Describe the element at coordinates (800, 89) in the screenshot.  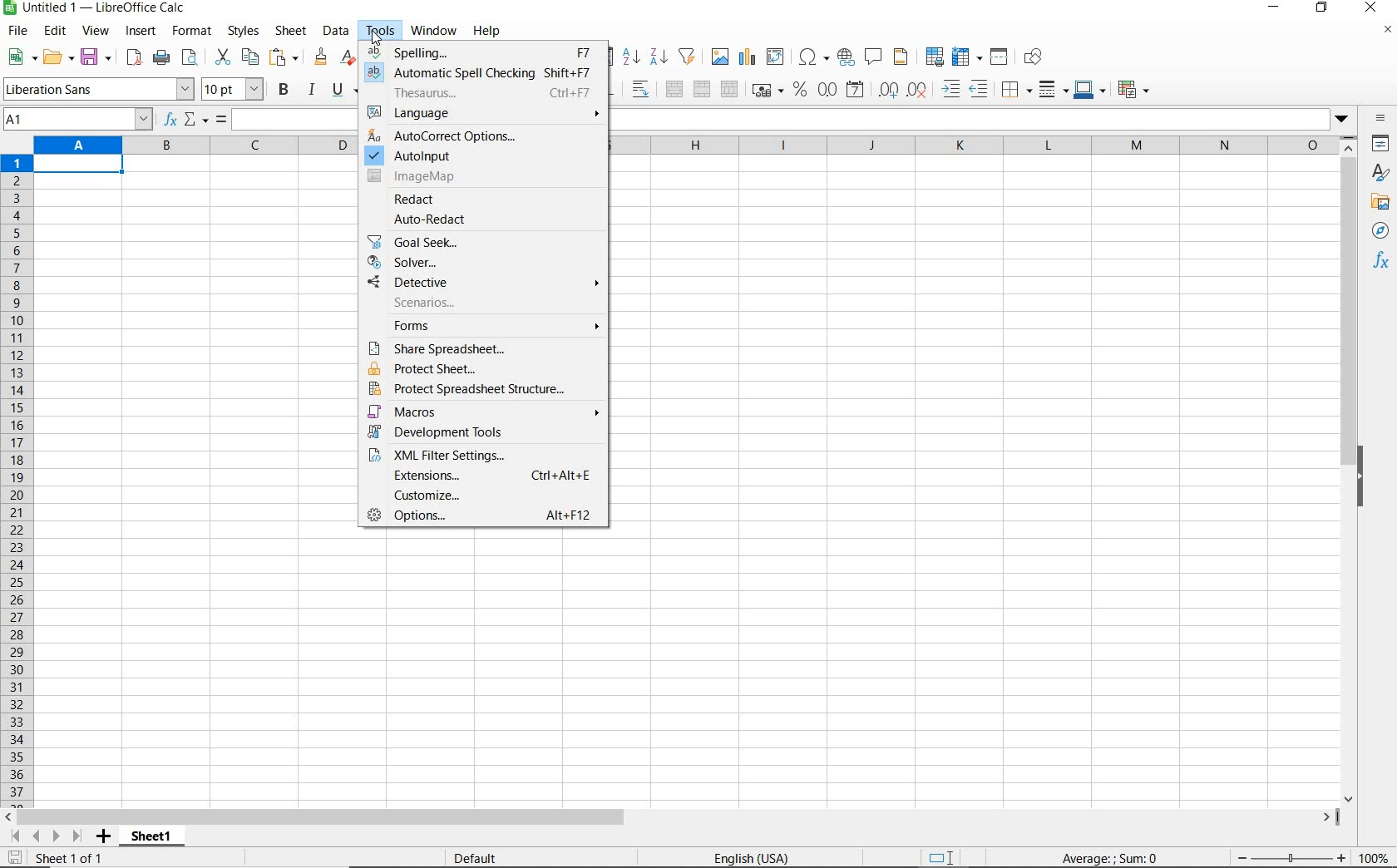
I see `format as percent` at that location.